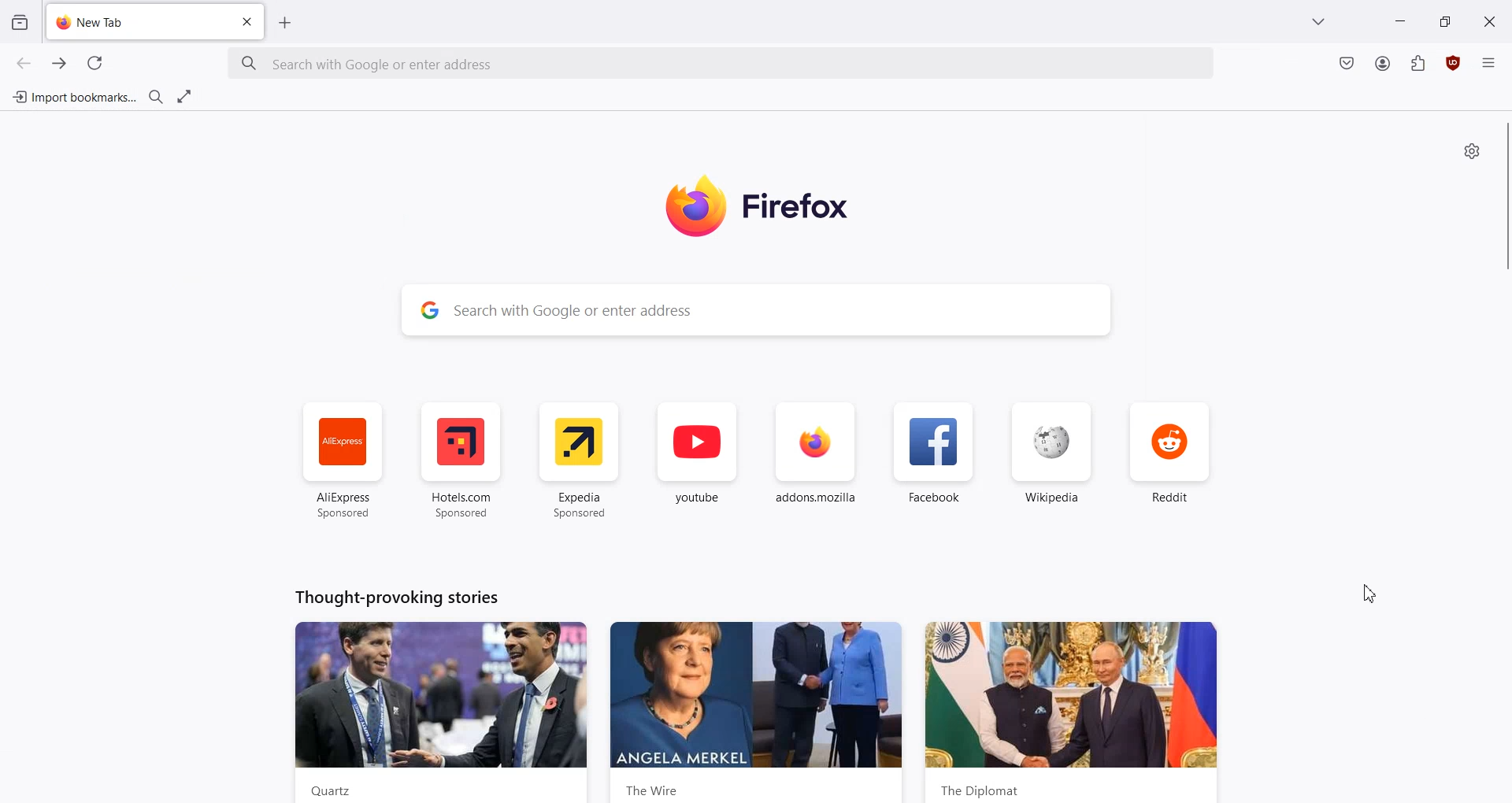 This screenshot has height=803, width=1512. What do you see at coordinates (156, 97) in the screenshot?
I see `Find` at bounding box center [156, 97].